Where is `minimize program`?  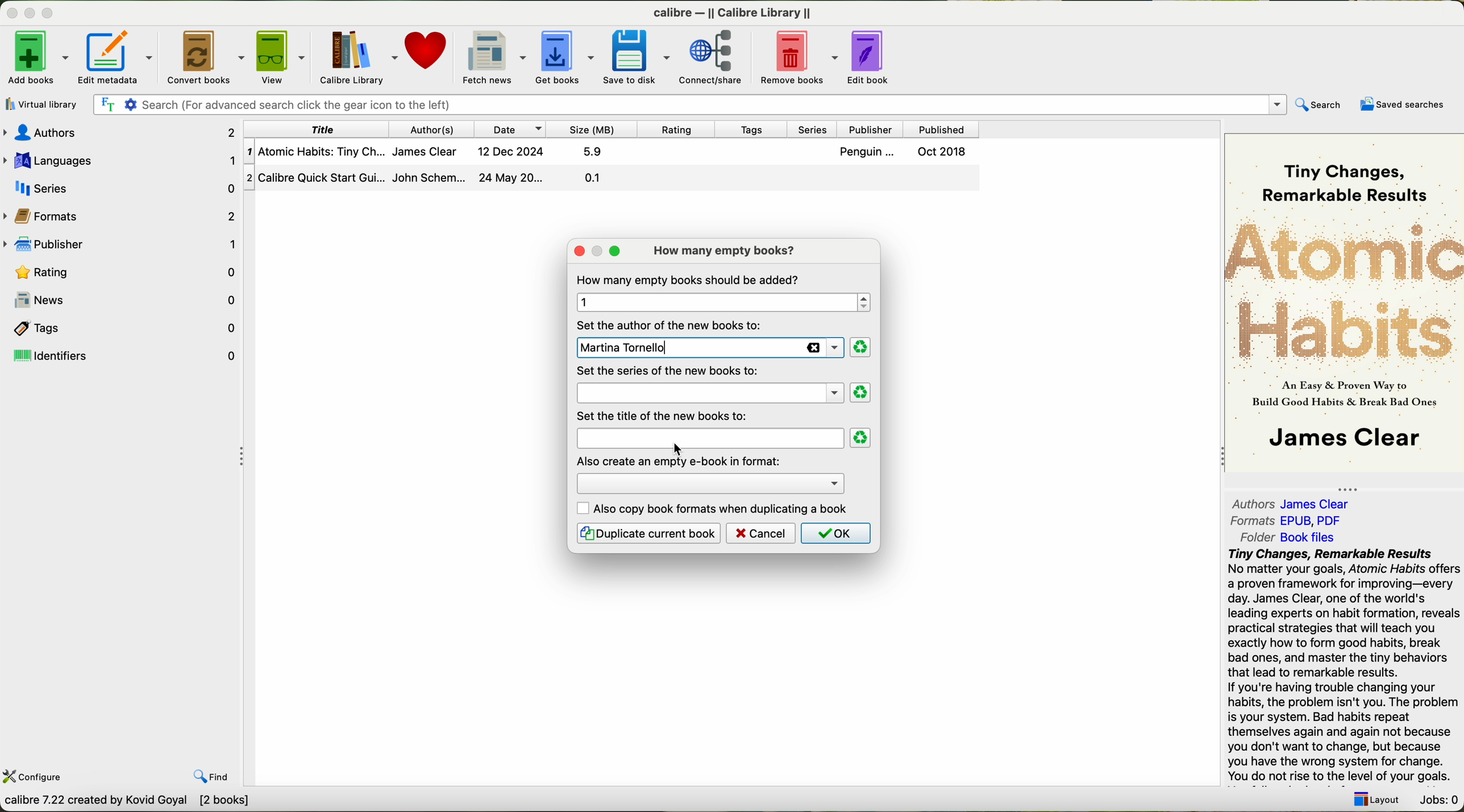
minimize program is located at coordinates (28, 11).